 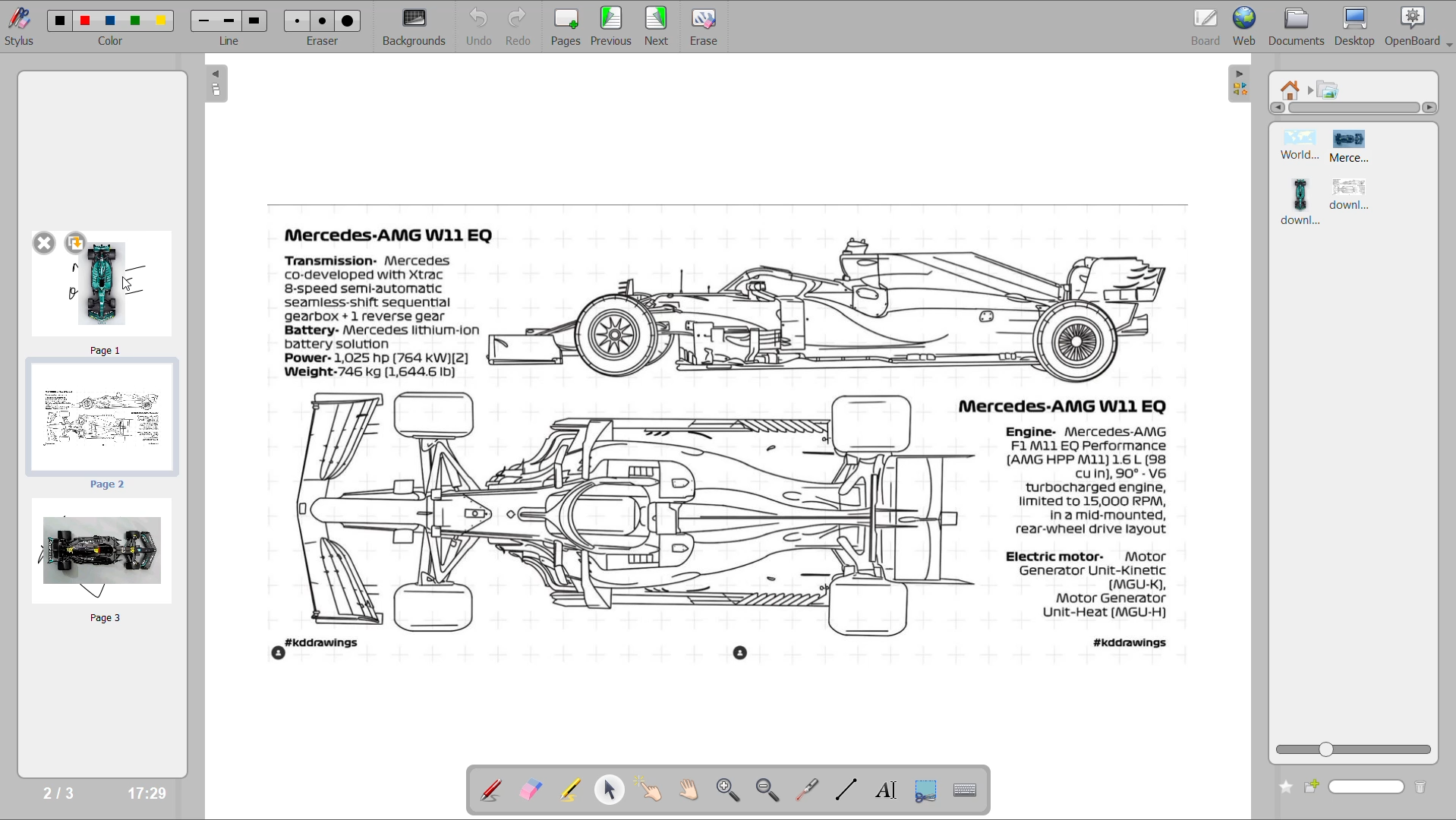 What do you see at coordinates (58, 19) in the screenshot?
I see `color 1` at bounding box center [58, 19].